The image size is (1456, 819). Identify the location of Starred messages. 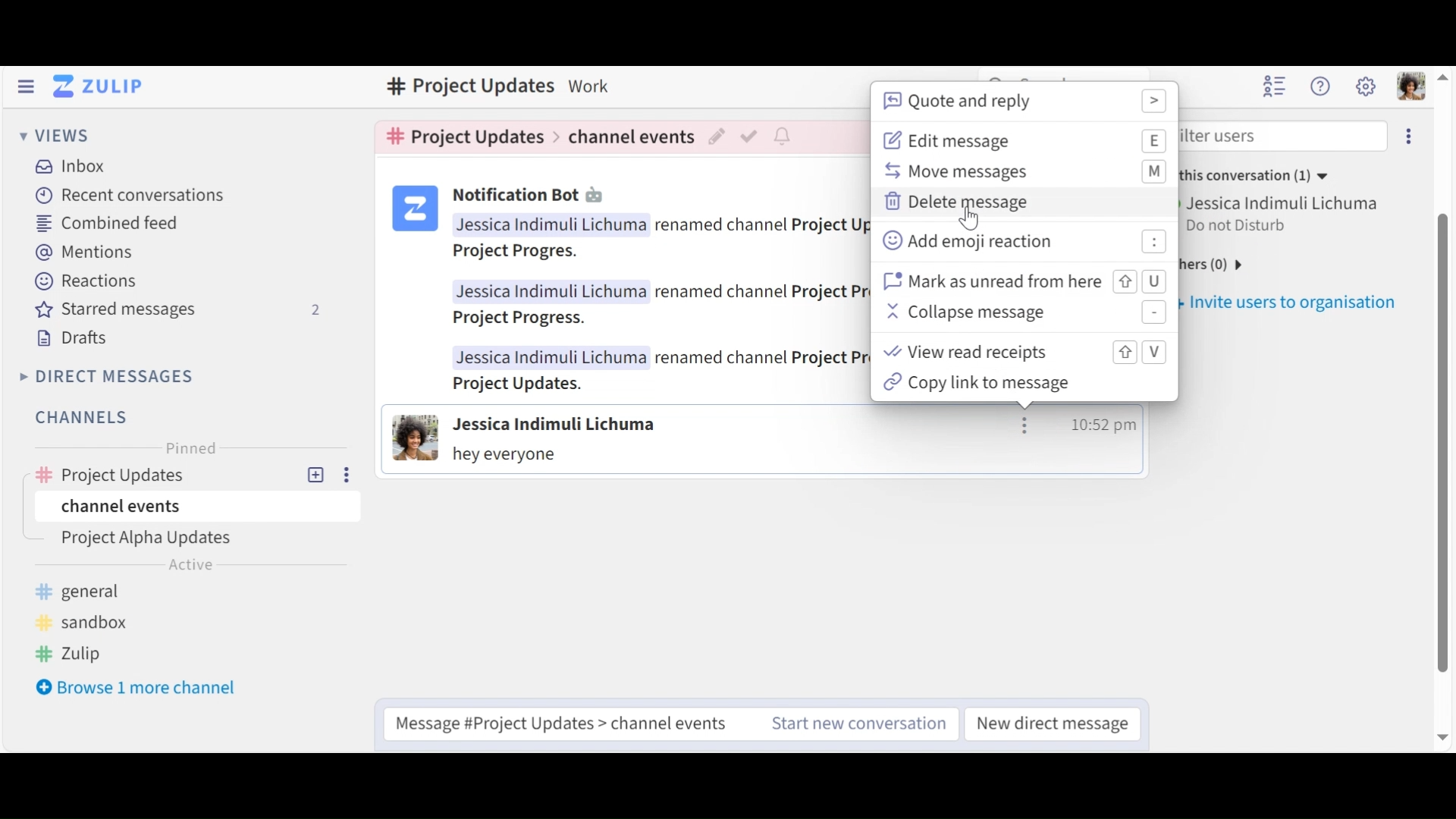
(184, 311).